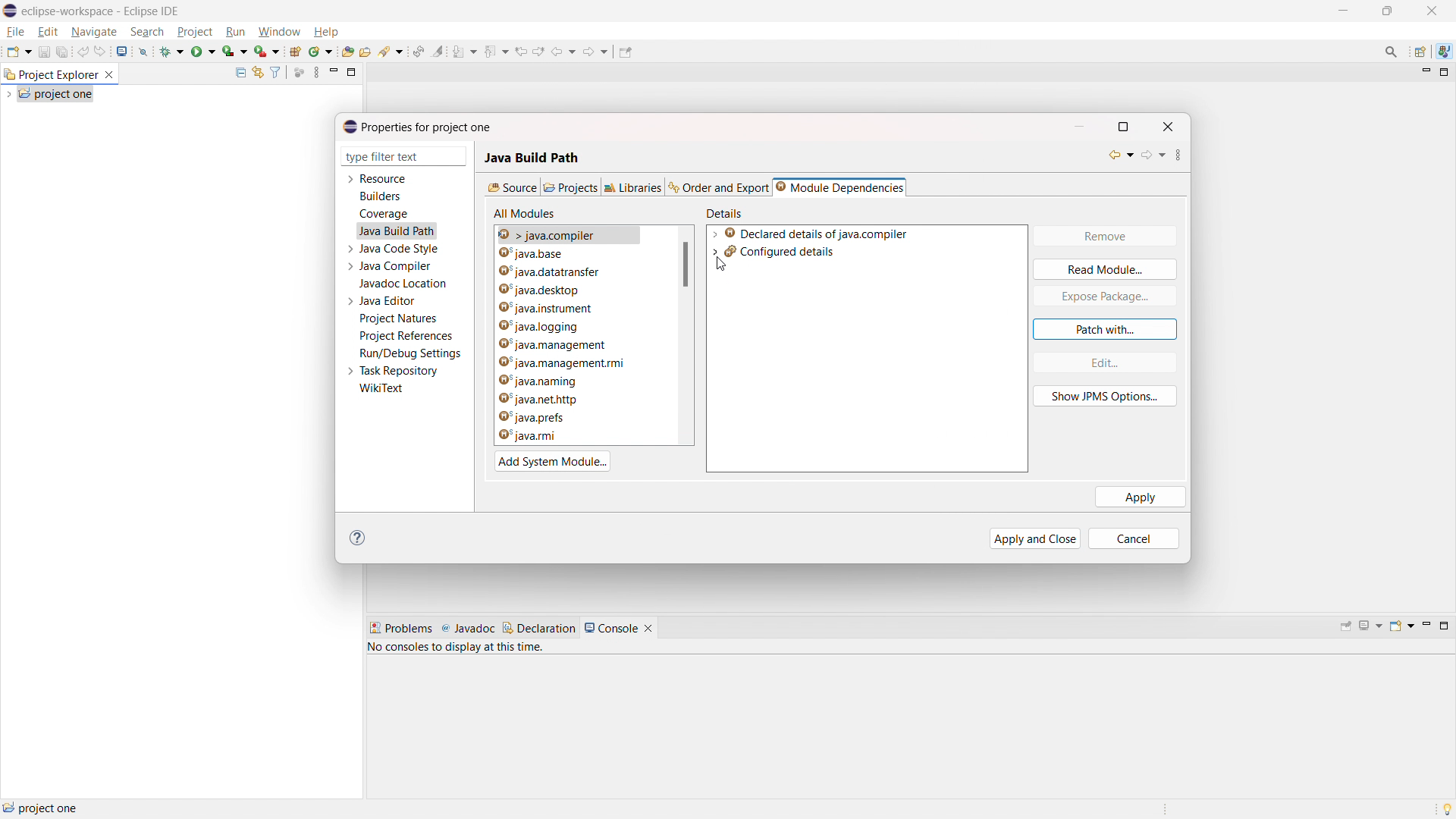  Describe the element at coordinates (382, 389) in the screenshot. I see `wikitext` at that location.